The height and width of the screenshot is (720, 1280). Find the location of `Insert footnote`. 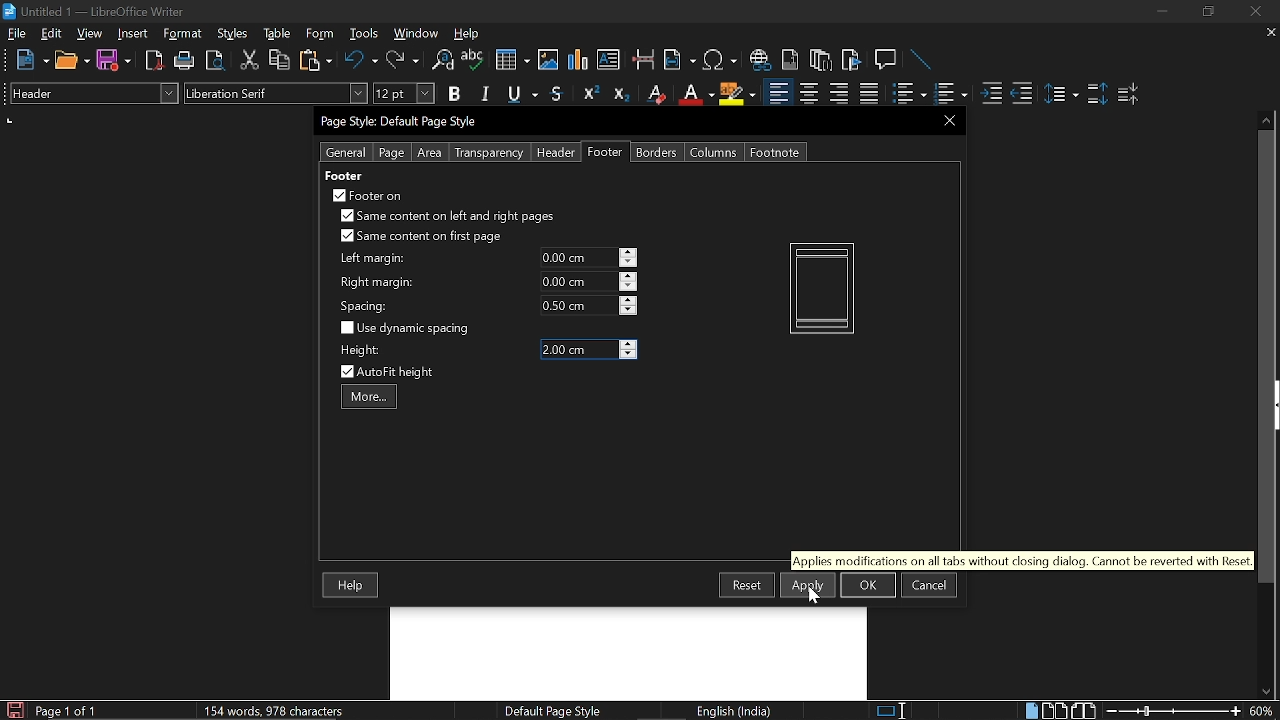

Insert footnote is located at coordinates (821, 60).